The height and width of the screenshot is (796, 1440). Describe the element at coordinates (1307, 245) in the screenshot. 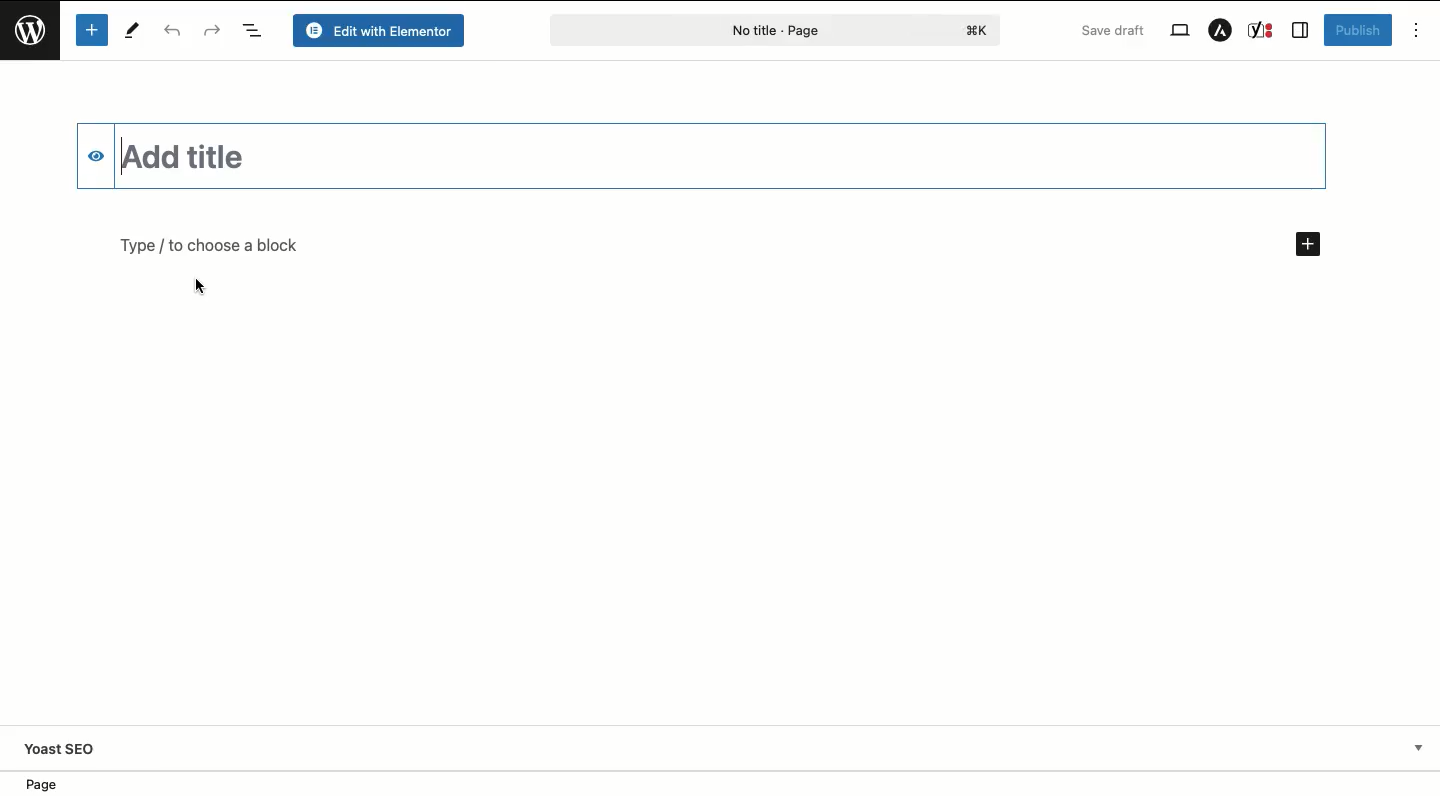

I see `Add new block` at that location.